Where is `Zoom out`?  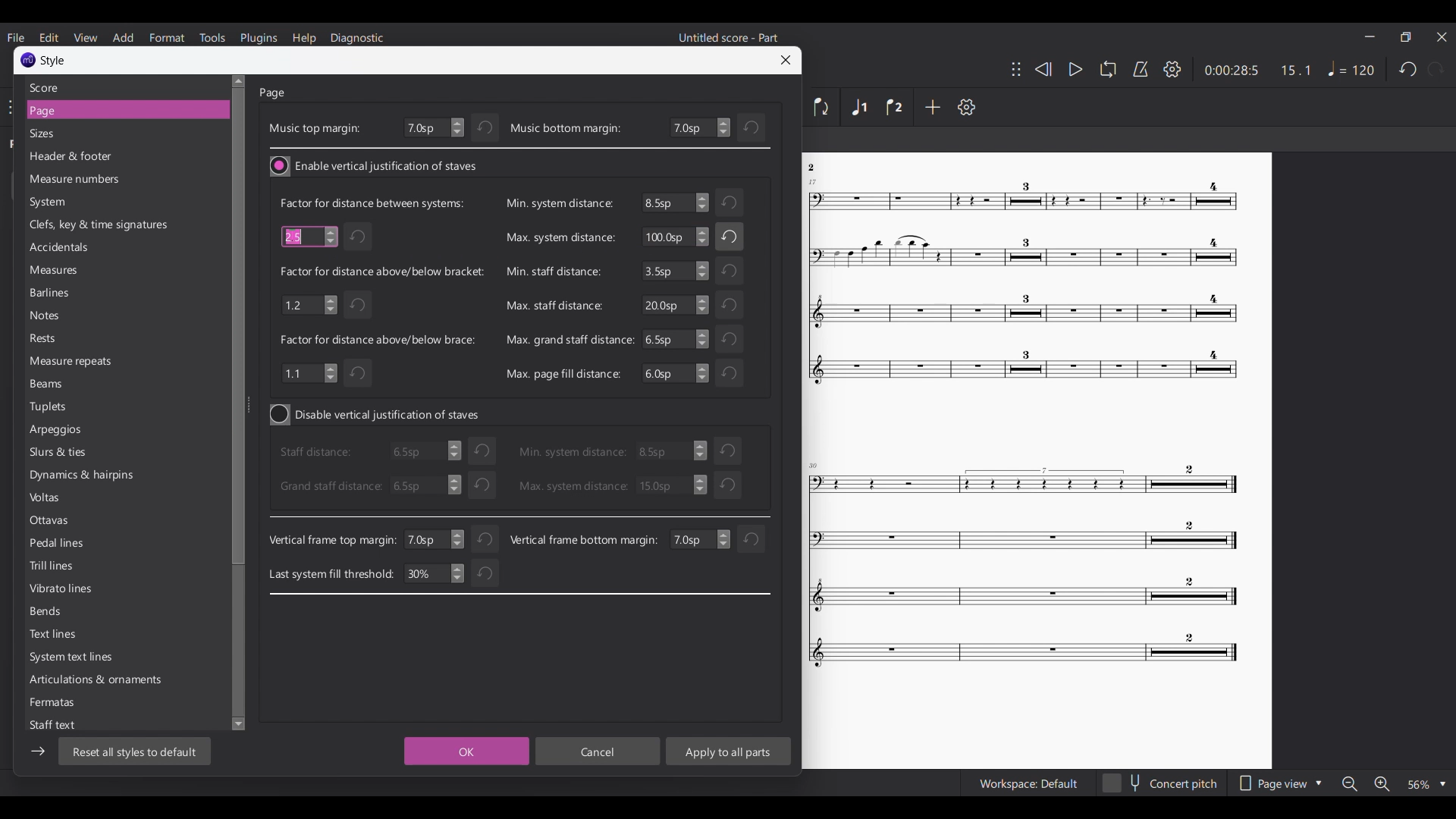 Zoom out is located at coordinates (1350, 784).